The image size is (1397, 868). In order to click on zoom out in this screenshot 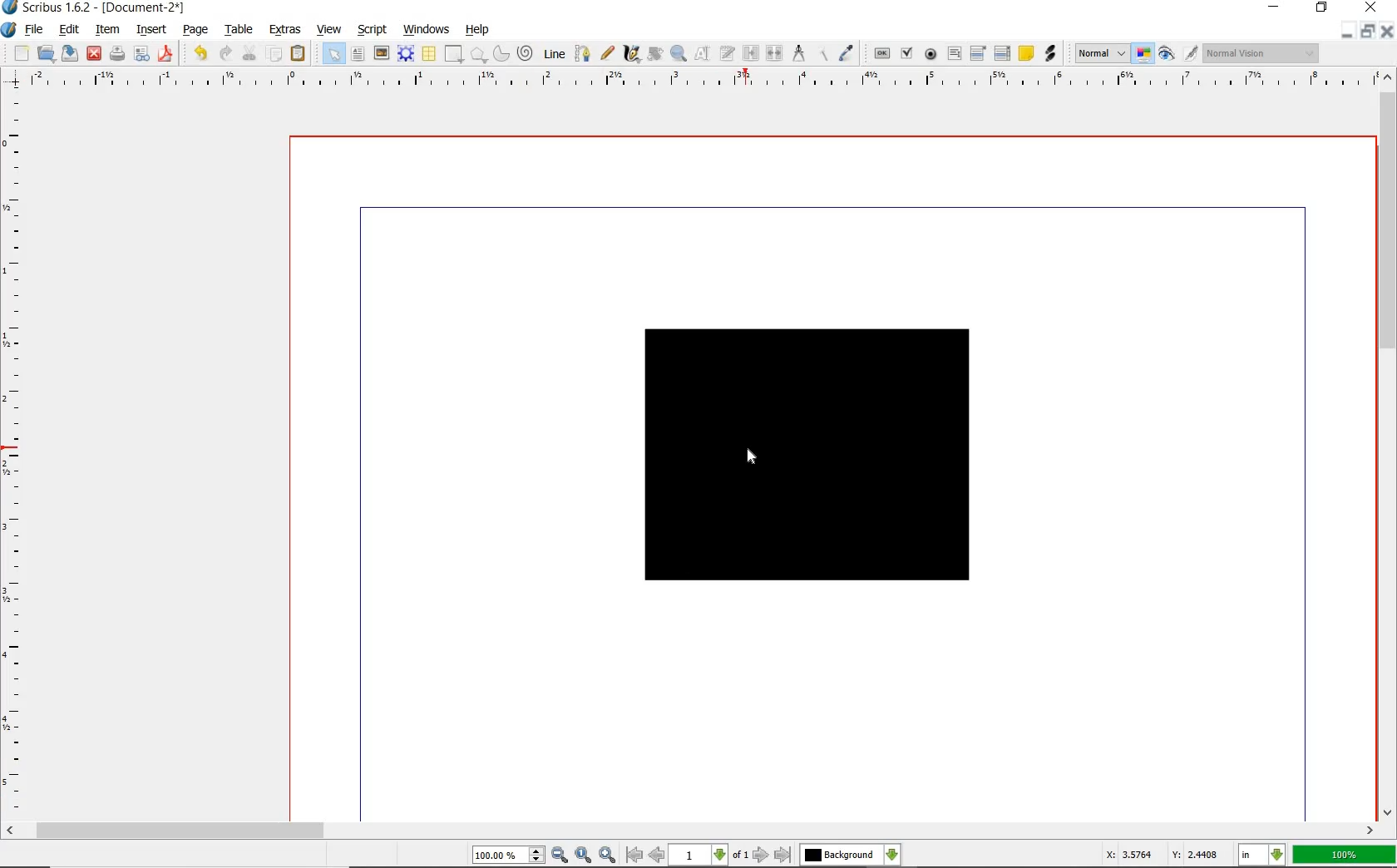, I will do `click(560, 855)`.